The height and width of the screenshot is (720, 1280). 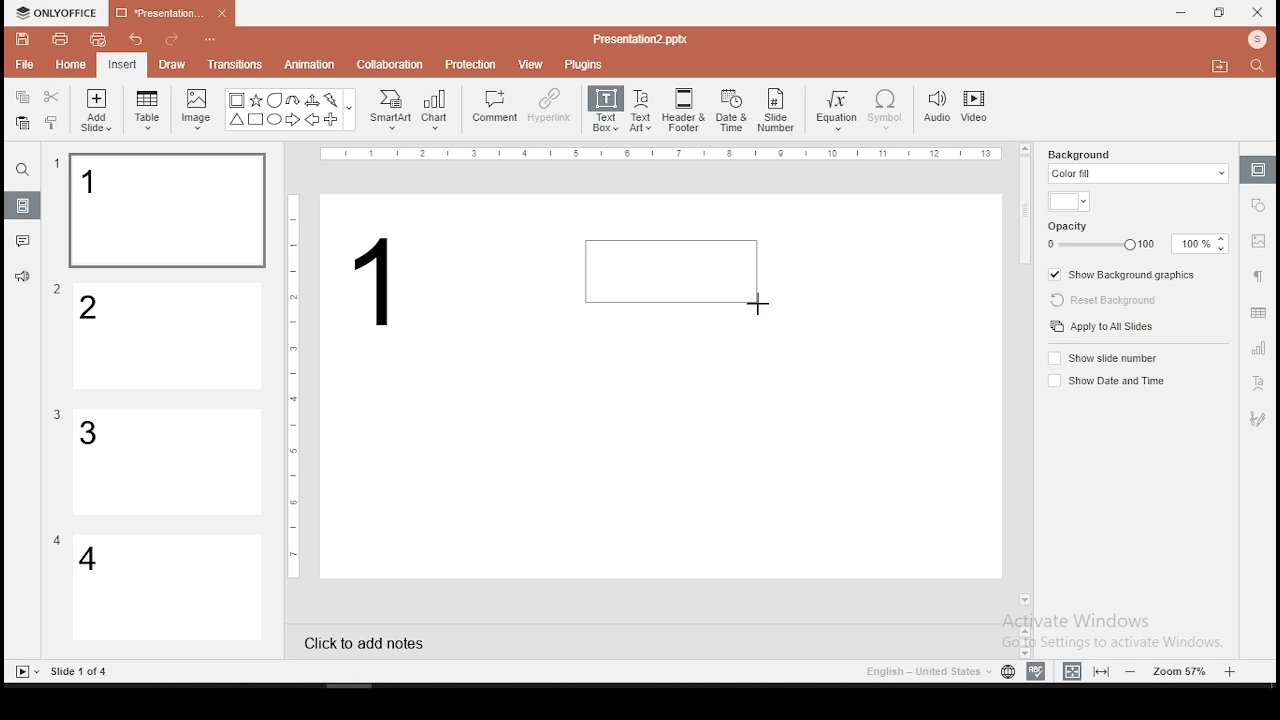 What do you see at coordinates (333, 100) in the screenshot?
I see `Flash` at bounding box center [333, 100].